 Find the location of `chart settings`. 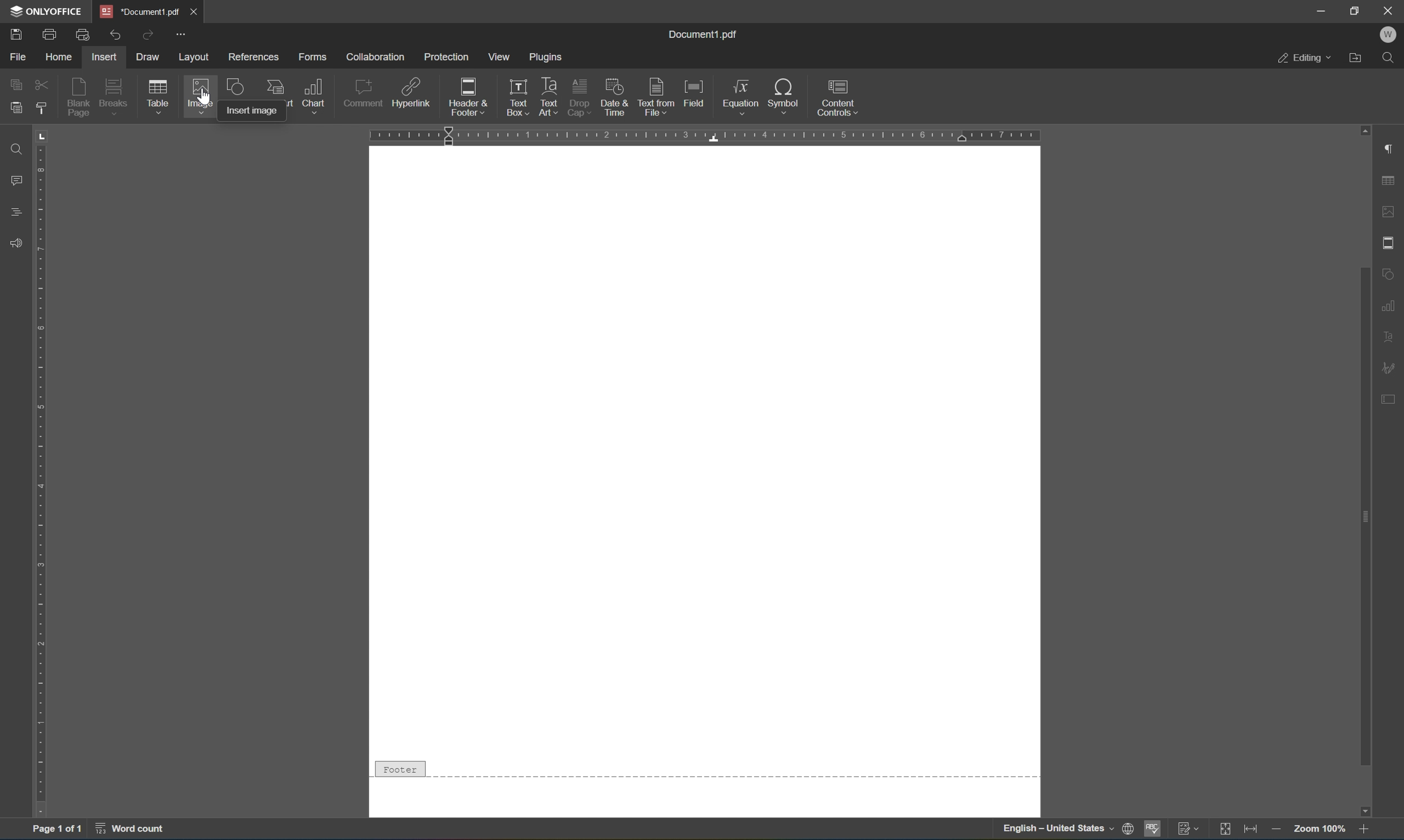

chart settings is located at coordinates (1389, 303).